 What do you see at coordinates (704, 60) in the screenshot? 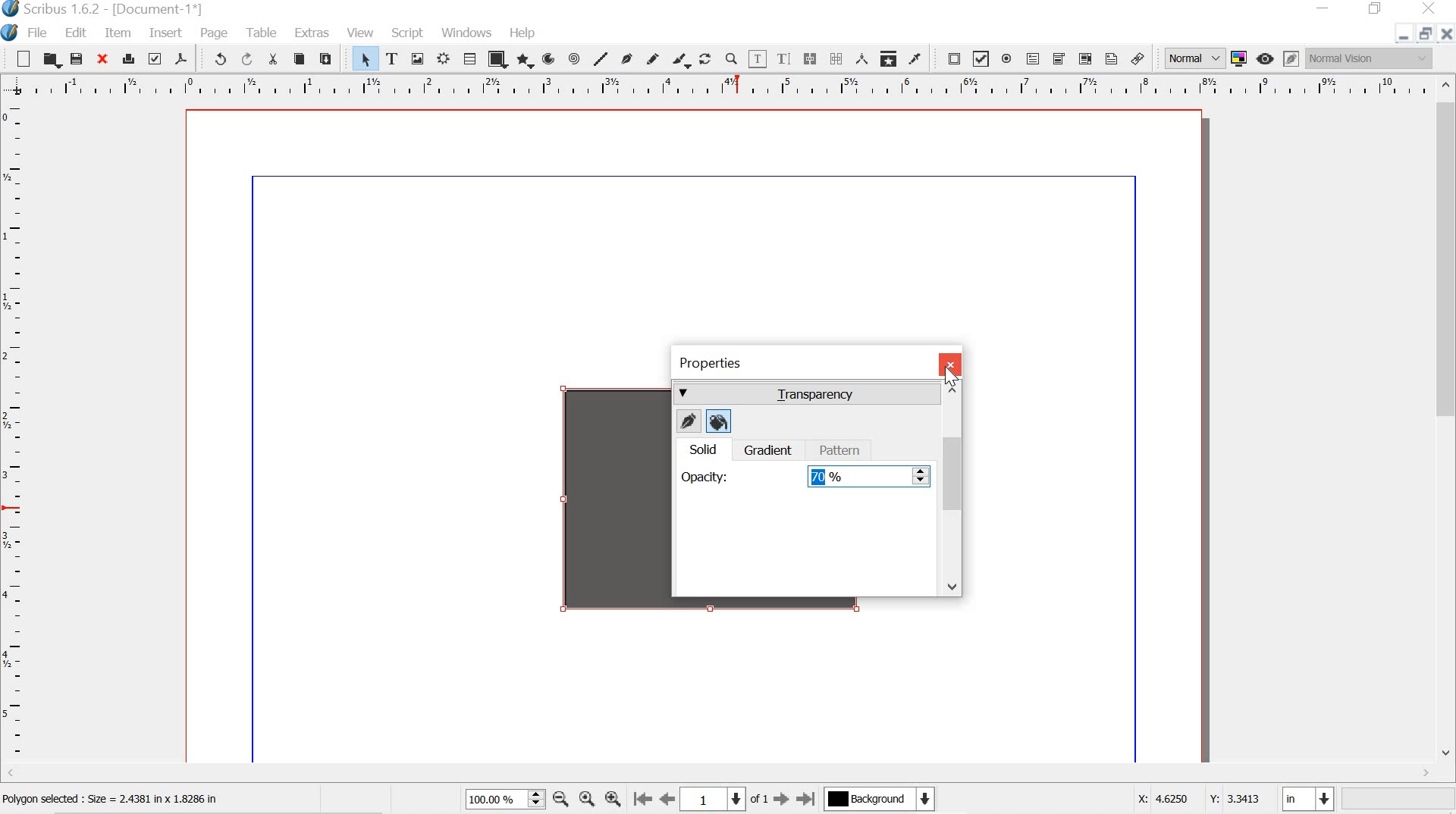
I see `rotate item` at bounding box center [704, 60].